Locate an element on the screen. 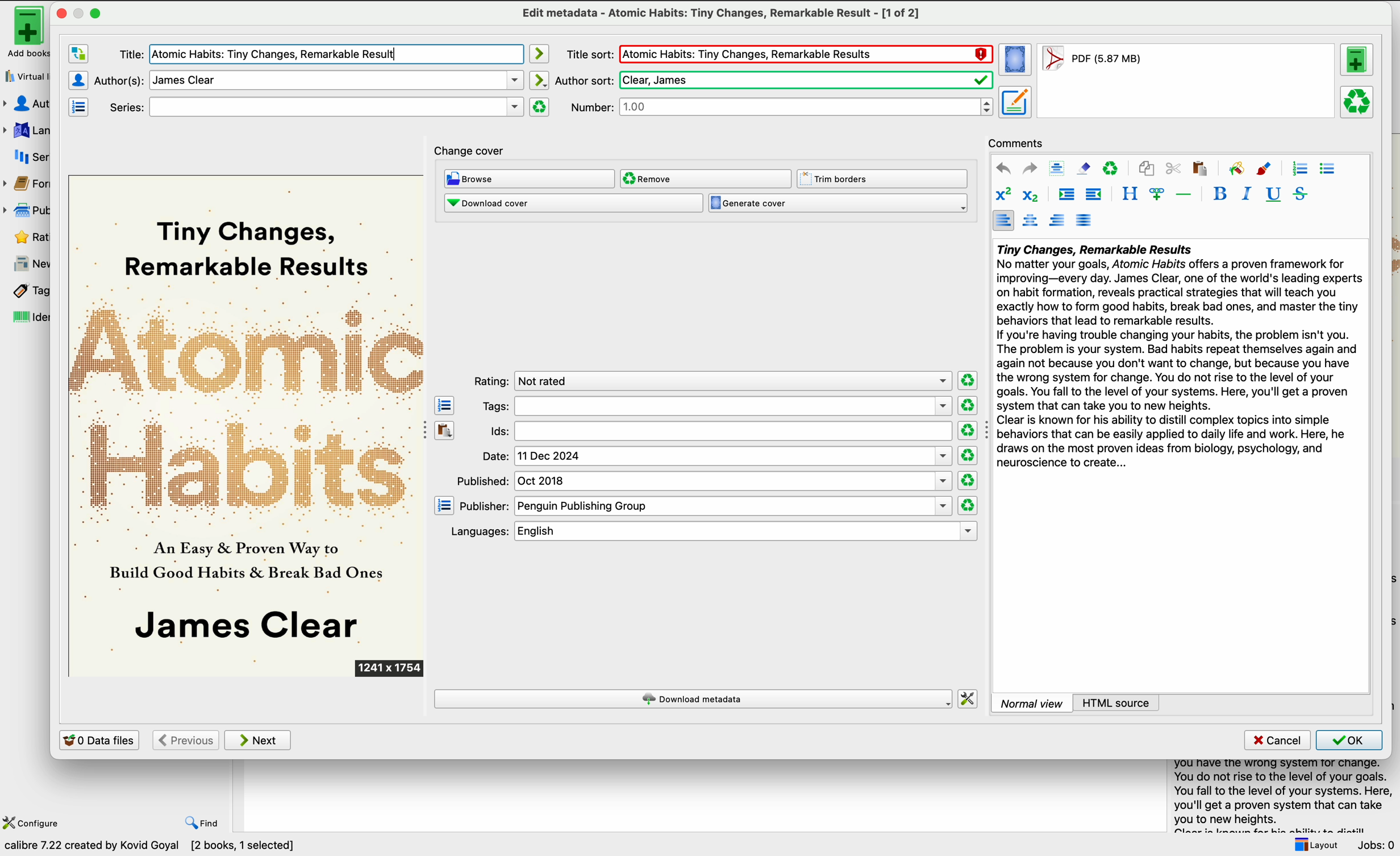 This screenshot has width=1400, height=856. series is located at coordinates (27, 157).